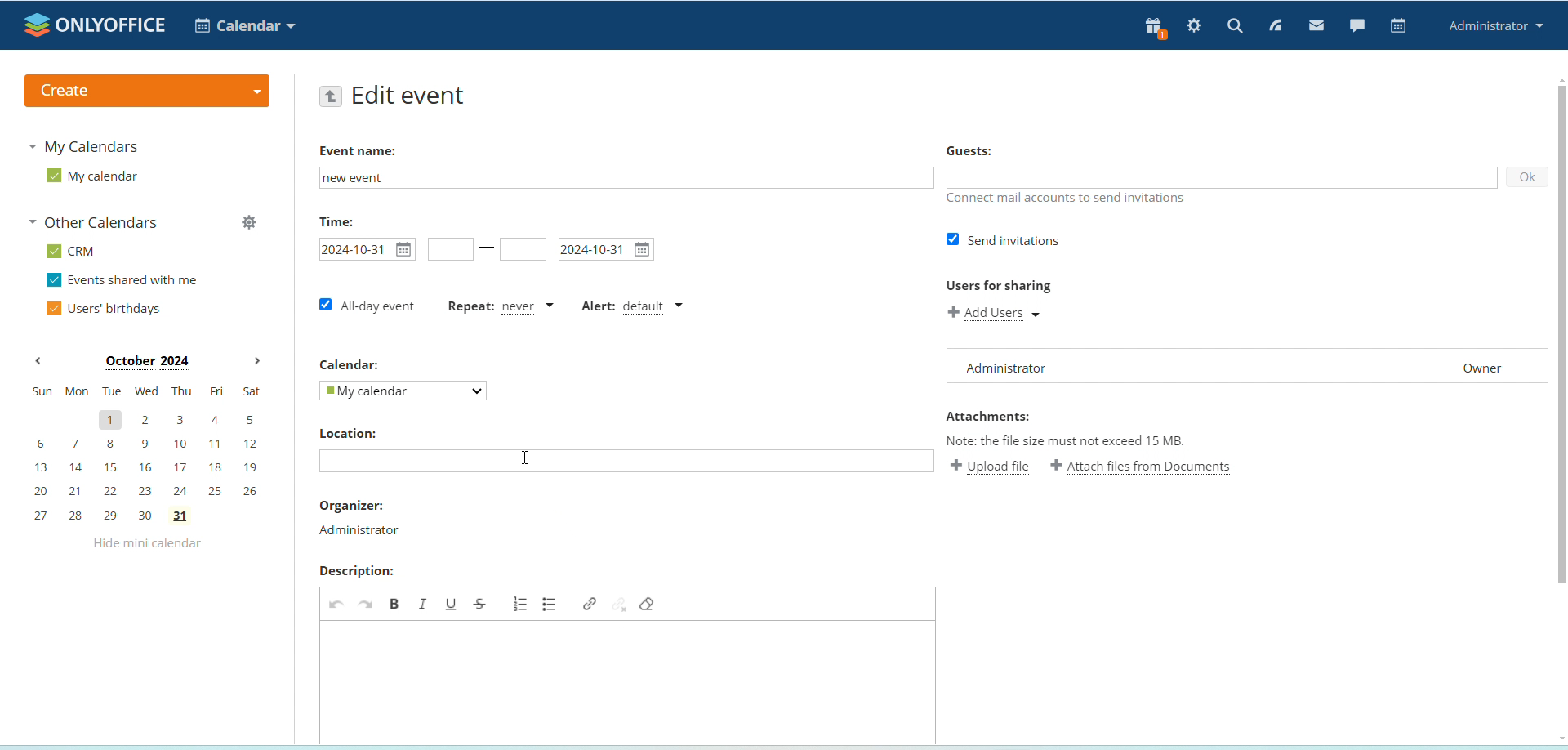 The height and width of the screenshot is (750, 1568). What do you see at coordinates (648, 603) in the screenshot?
I see `remove format` at bounding box center [648, 603].